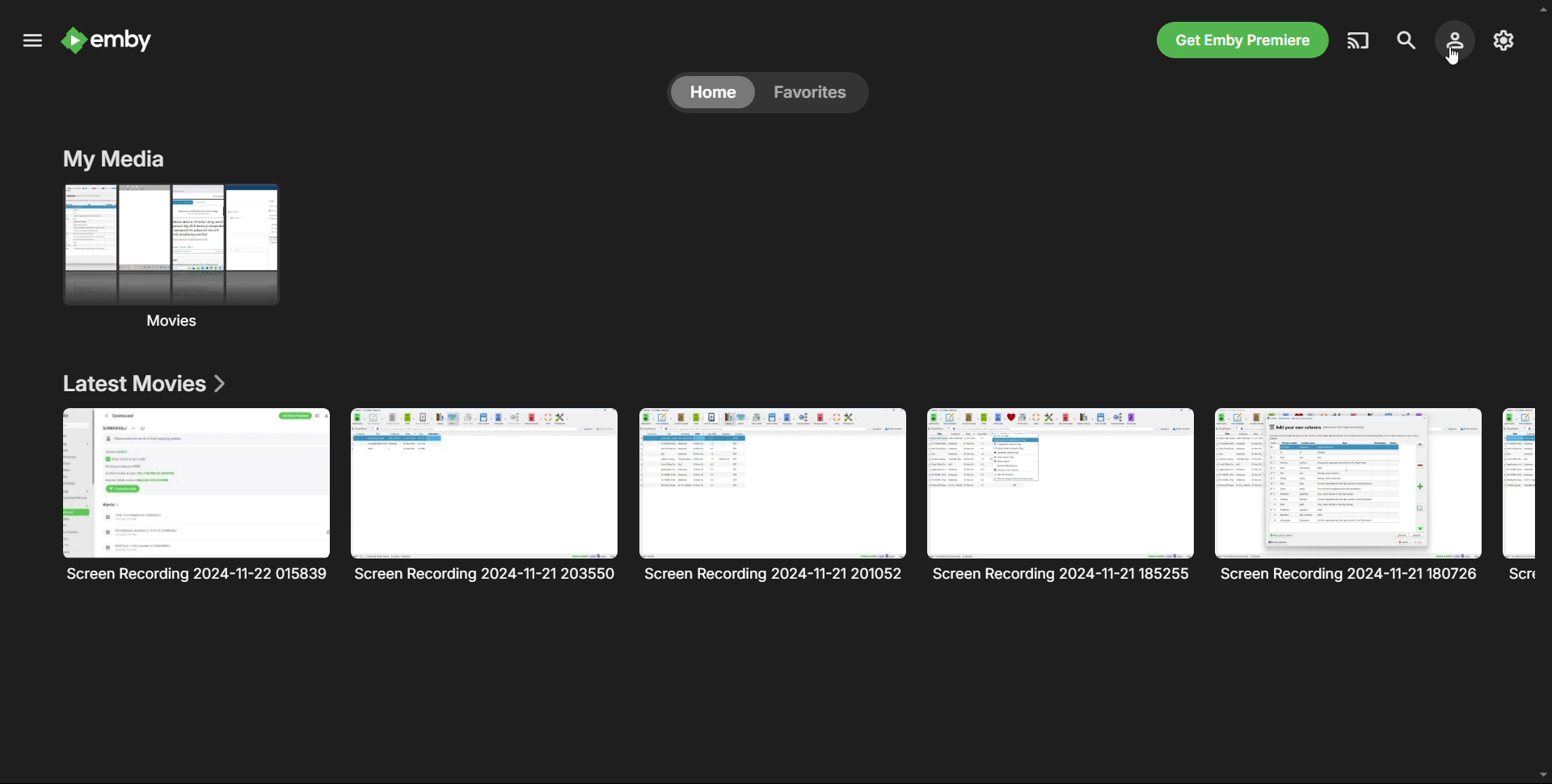 Image resolution: width=1552 pixels, height=784 pixels. Describe the element at coordinates (1403, 40) in the screenshot. I see `search` at that location.